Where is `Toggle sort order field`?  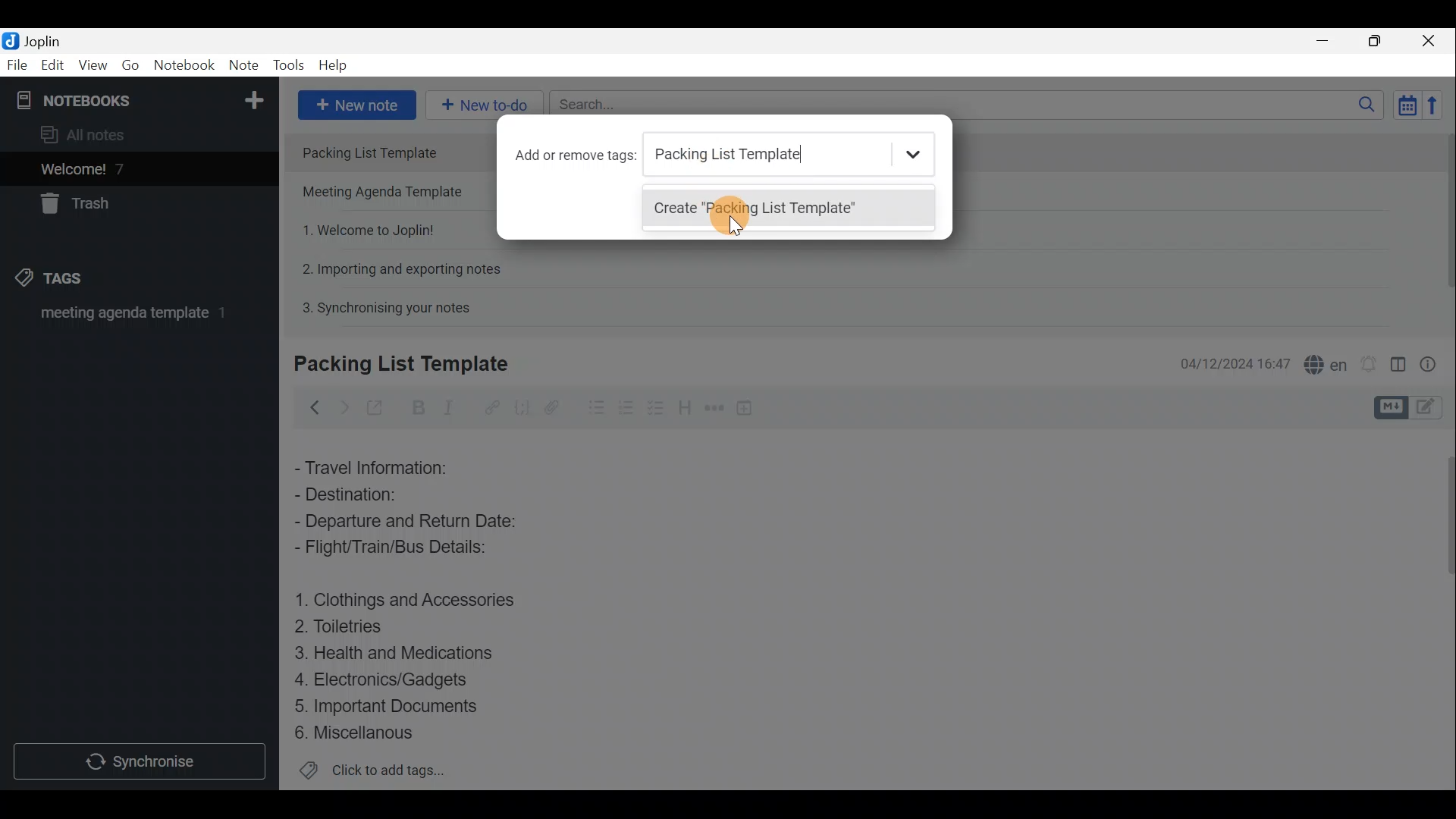
Toggle sort order field is located at coordinates (1402, 105).